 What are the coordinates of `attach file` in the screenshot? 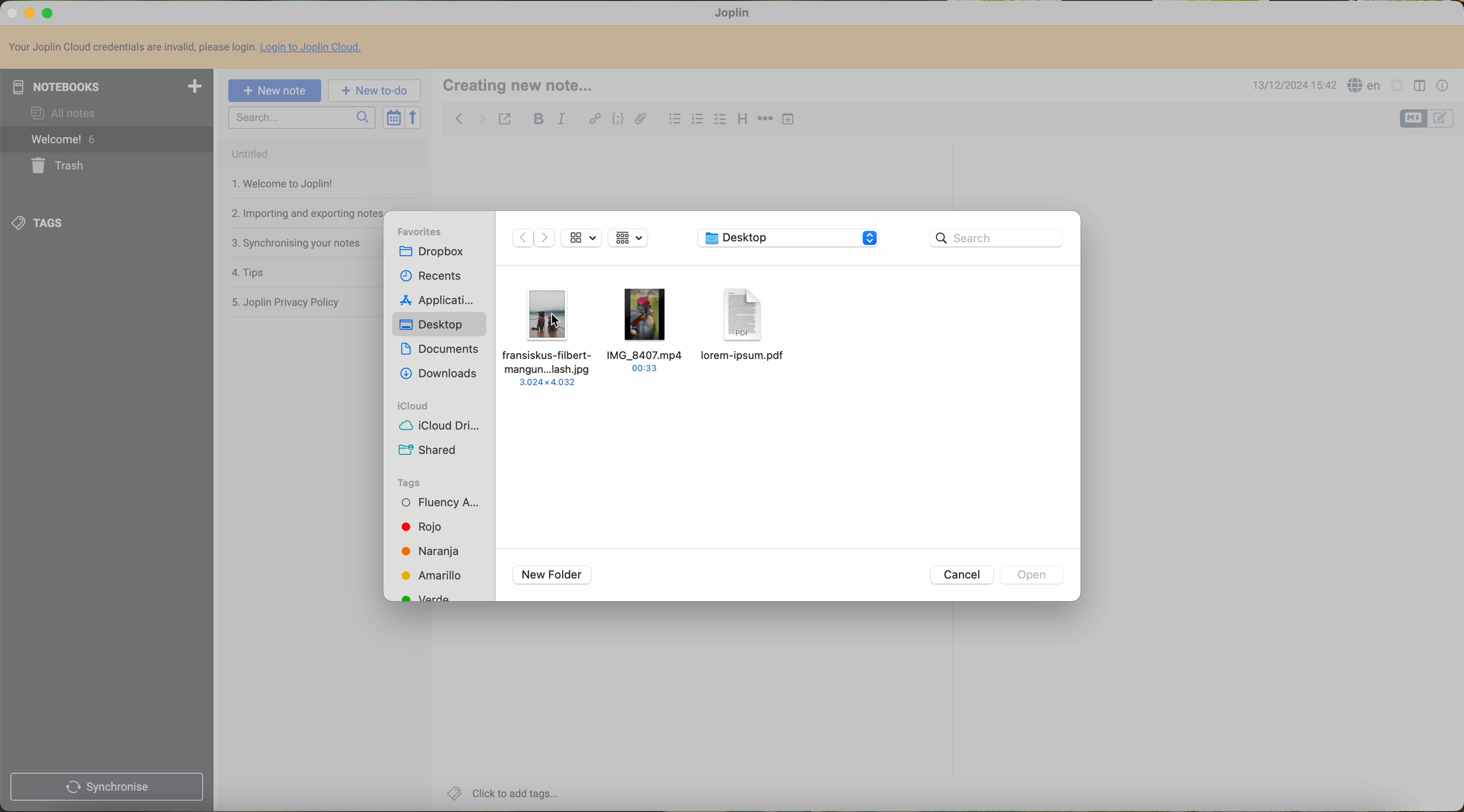 It's located at (642, 116).